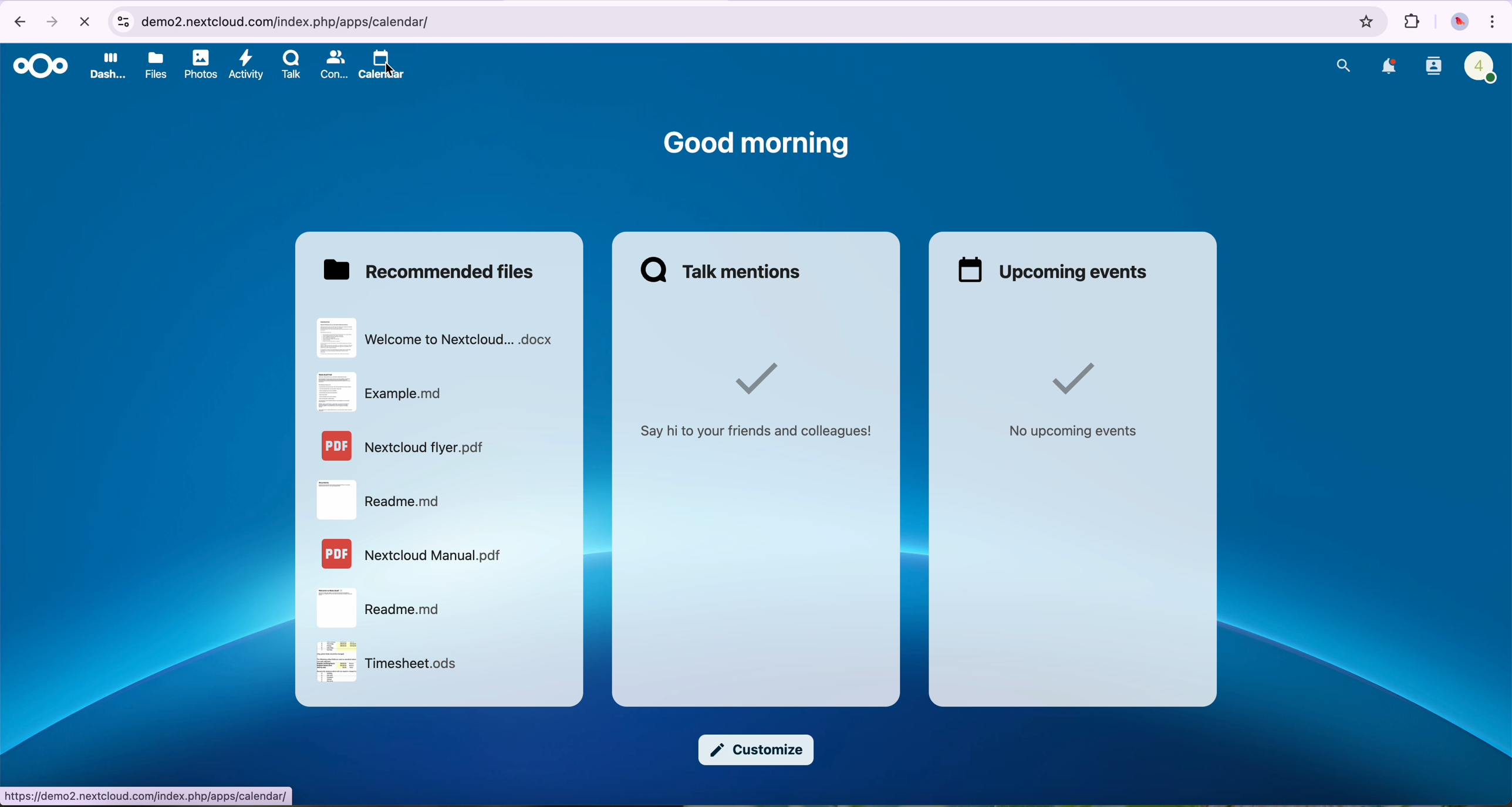 This screenshot has width=1512, height=807. What do you see at coordinates (430, 271) in the screenshot?
I see `recommended files` at bounding box center [430, 271].